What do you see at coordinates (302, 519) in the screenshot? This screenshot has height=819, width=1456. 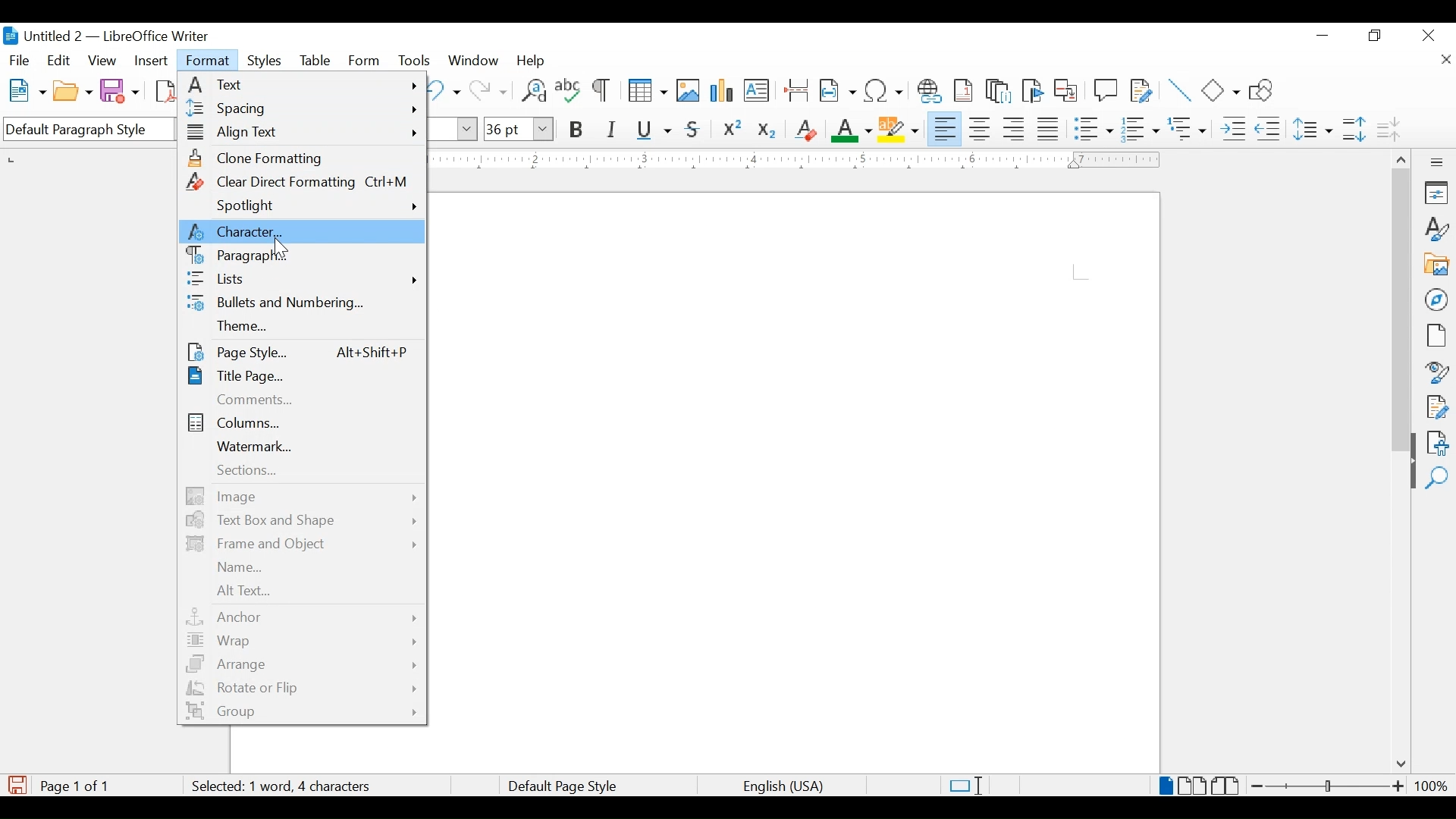 I see `text box and shape` at bounding box center [302, 519].